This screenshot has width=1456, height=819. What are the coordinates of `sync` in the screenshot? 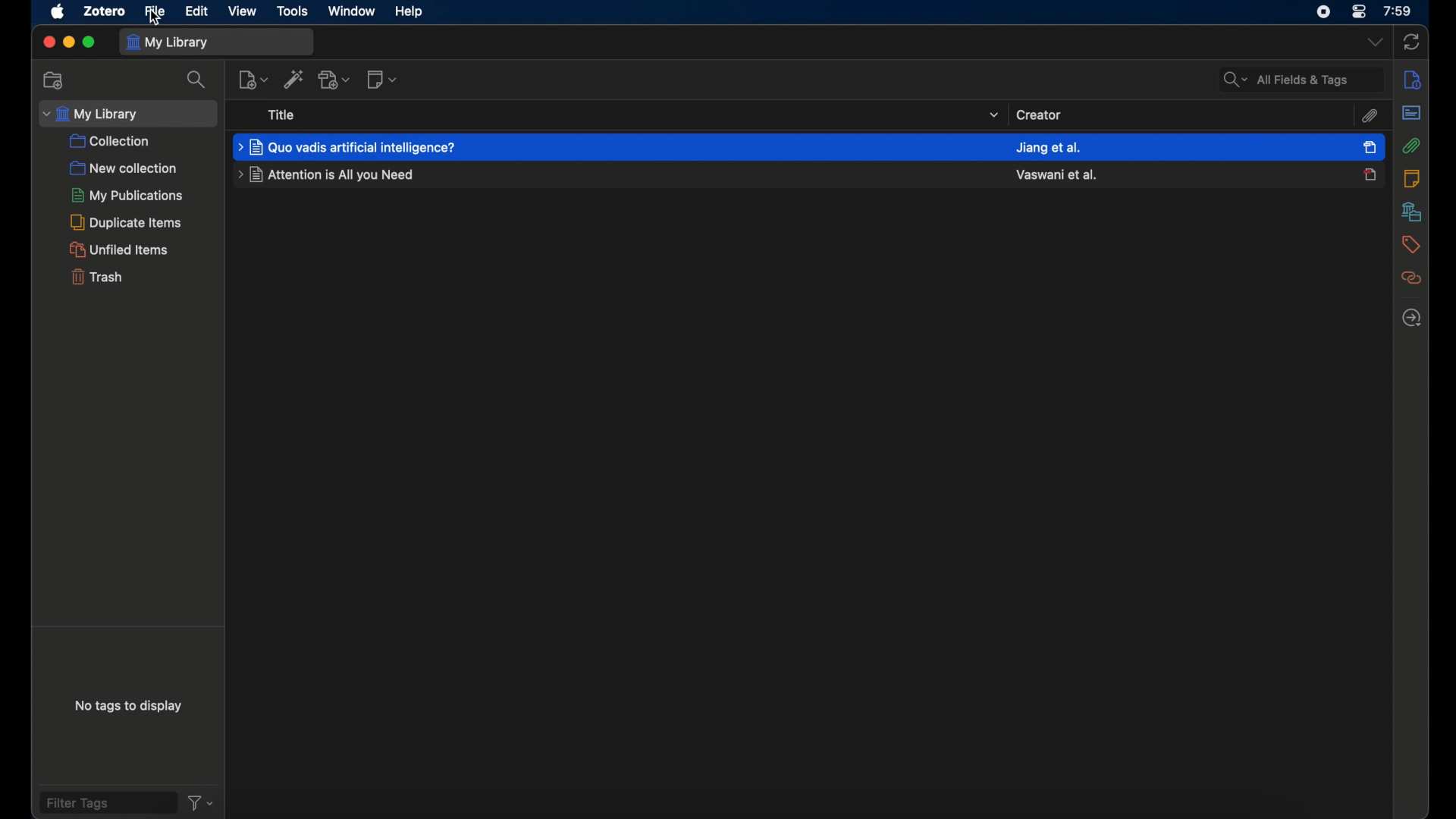 It's located at (1412, 40).